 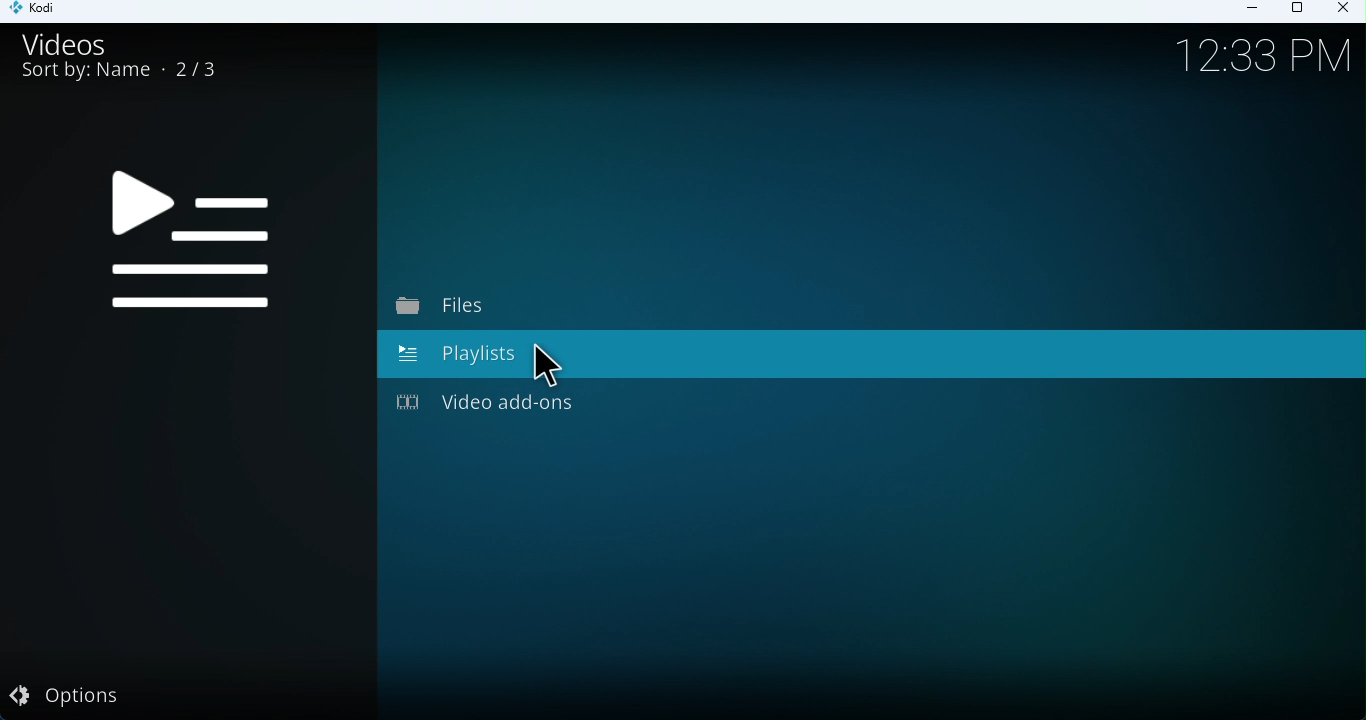 I want to click on Cursor, so click(x=548, y=371).